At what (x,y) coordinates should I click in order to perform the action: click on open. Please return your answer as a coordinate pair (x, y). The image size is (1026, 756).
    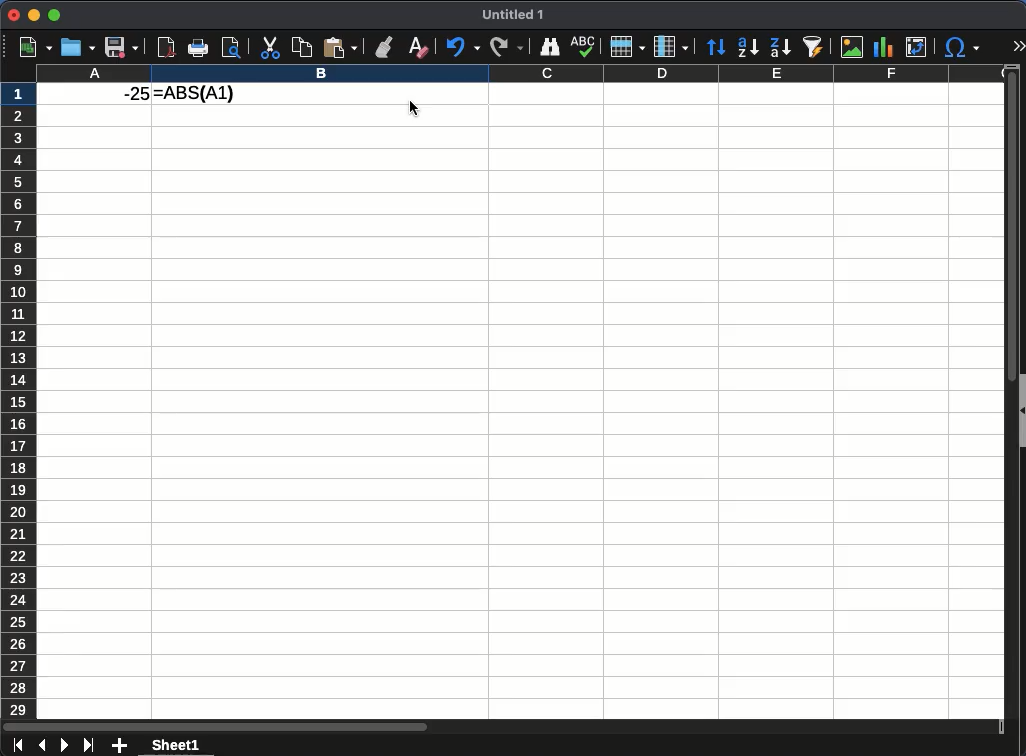
    Looking at the image, I should click on (76, 48).